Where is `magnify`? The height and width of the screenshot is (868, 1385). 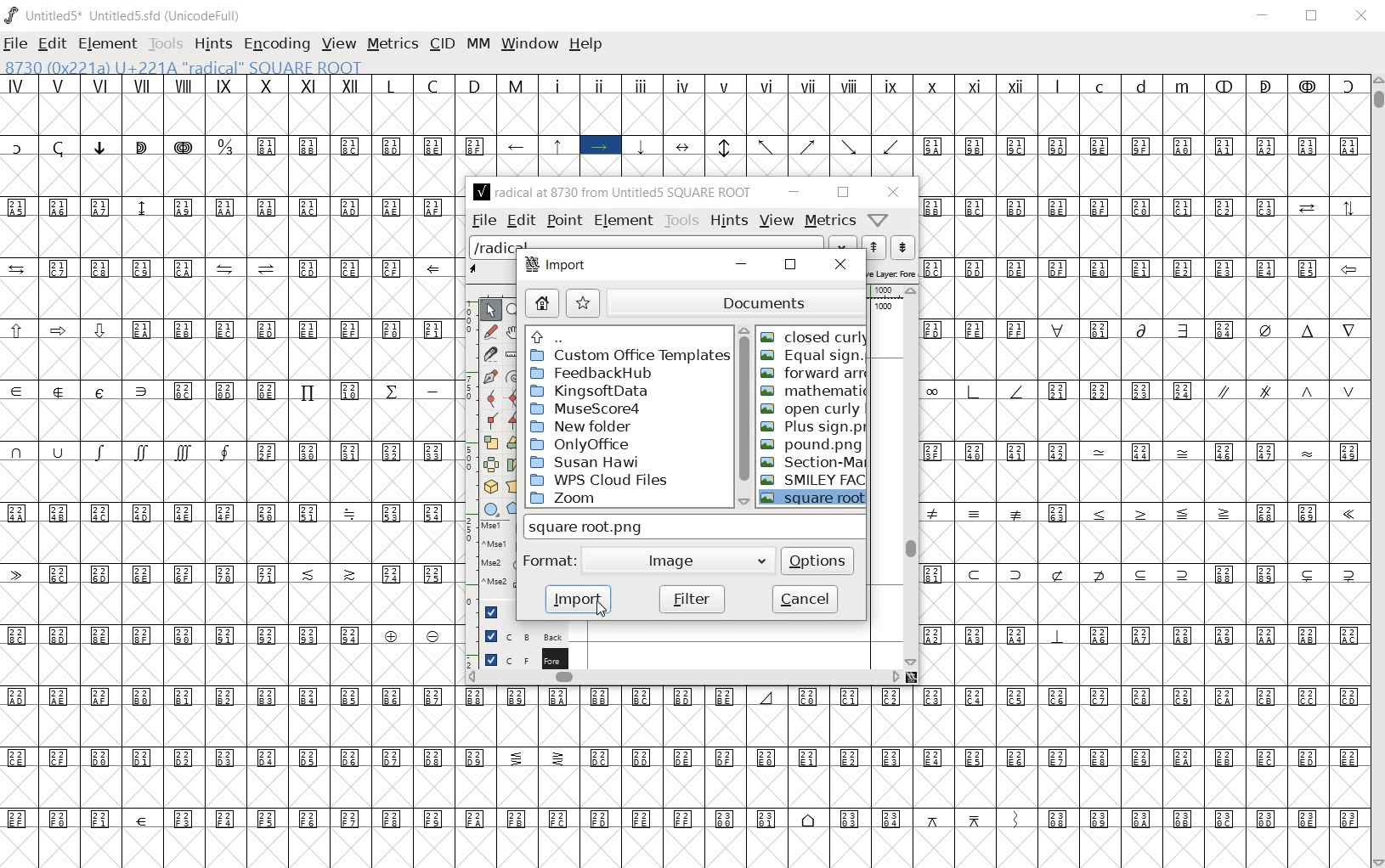
magnify is located at coordinates (516, 310).